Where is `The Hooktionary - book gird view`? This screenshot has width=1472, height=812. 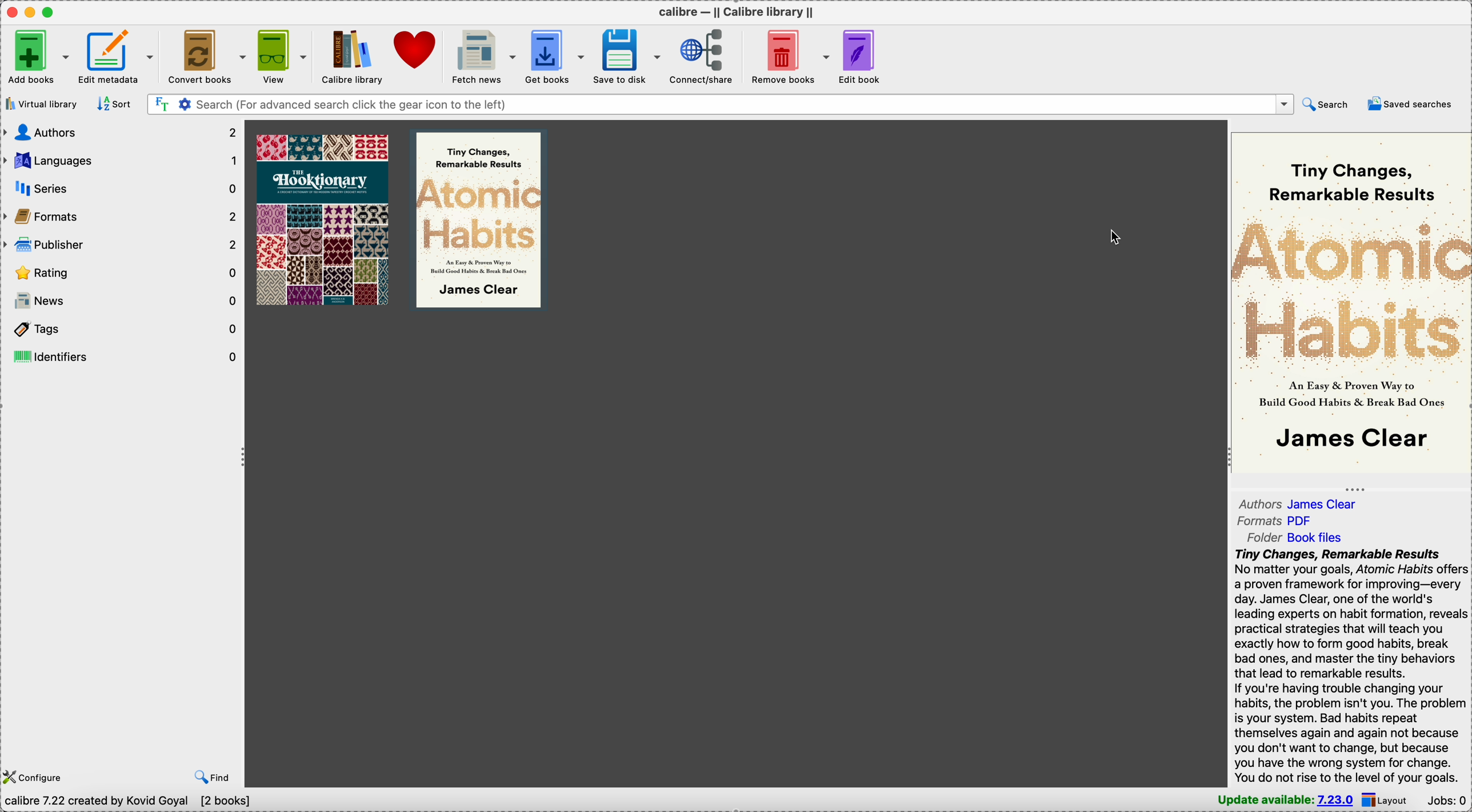 The Hooktionary - book gird view is located at coordinates (319, 219).